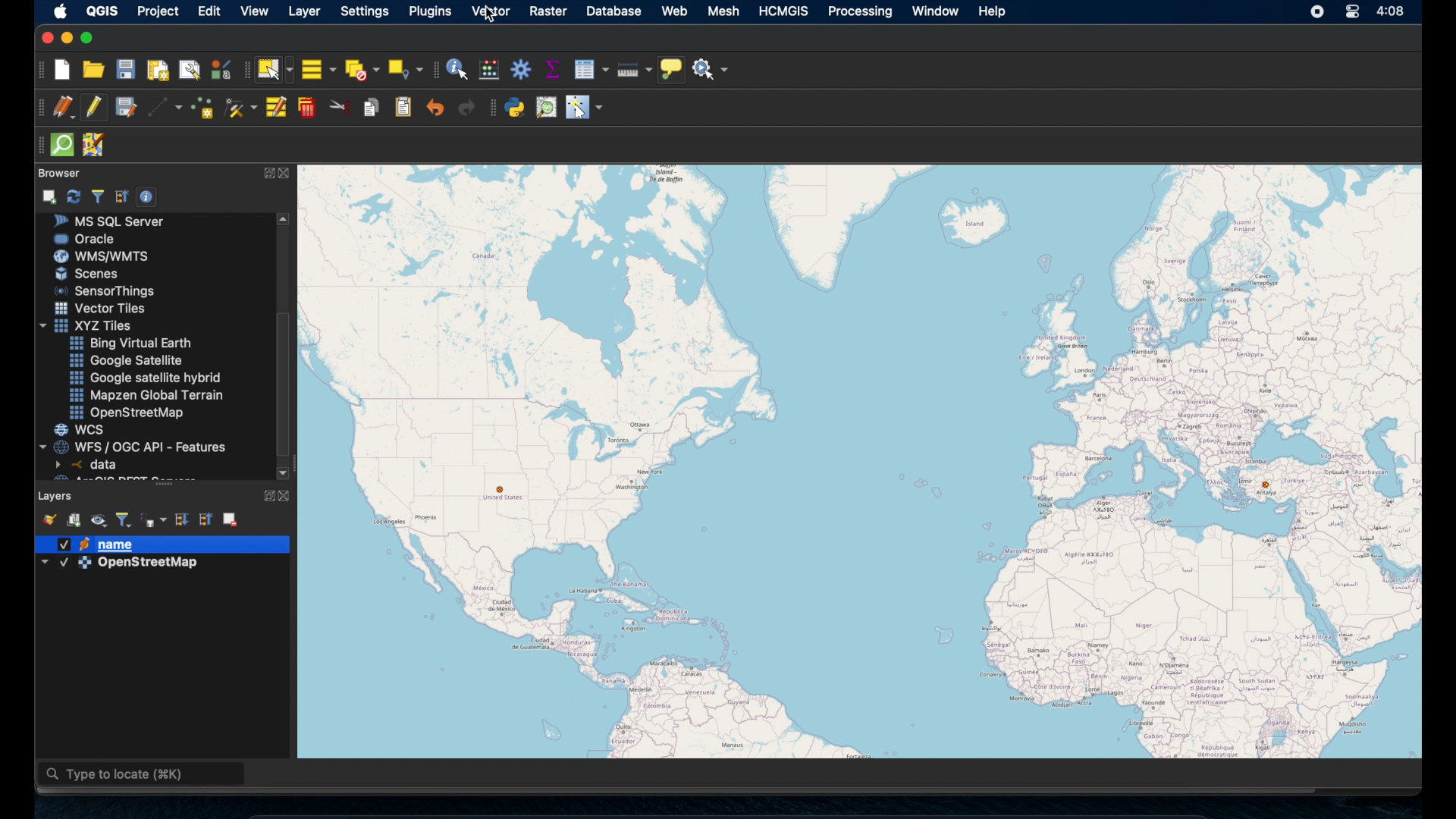 The image size is (1456, 819). Describe the element at coordinates (135, 446) in the screenshot. I see `wfs/ogc api - features` at that location.